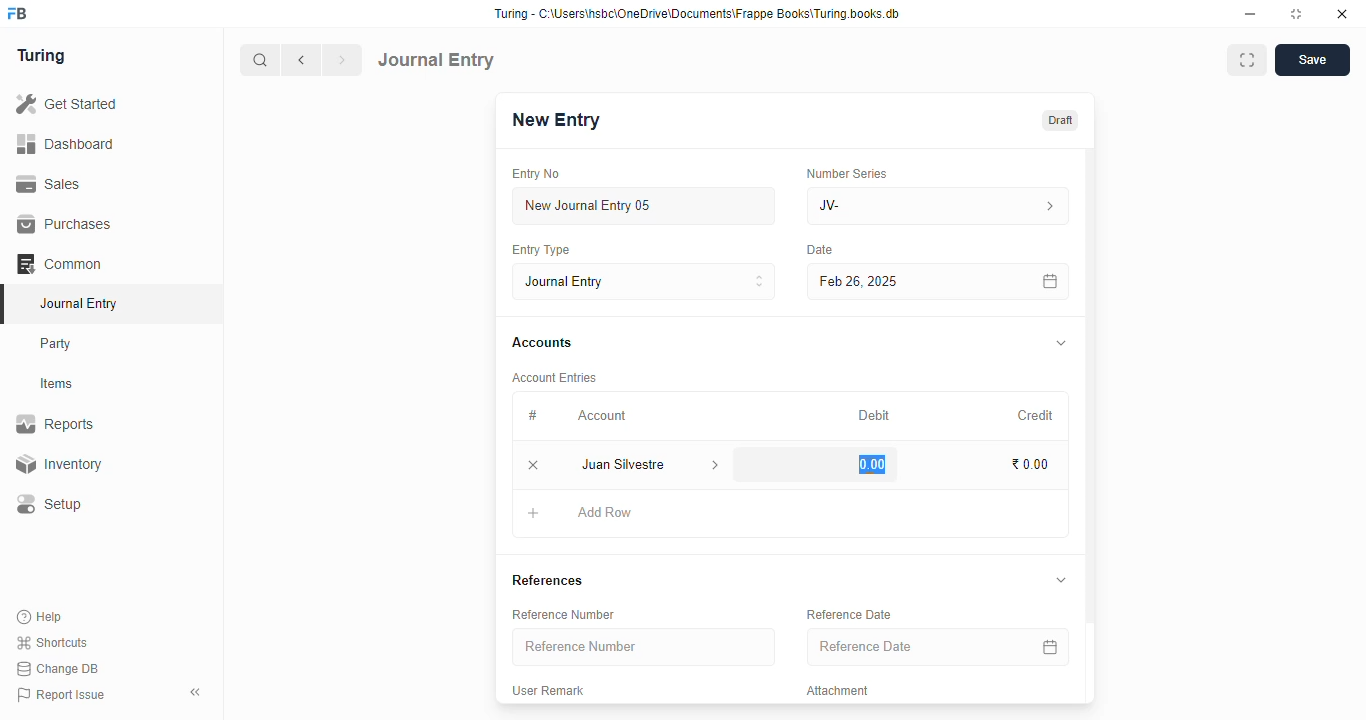 The image size is (1366, 720). What do you see at coordinates (17, 13) in the screenshot?
I see `FB - logo` at bounding box center [17, 13].